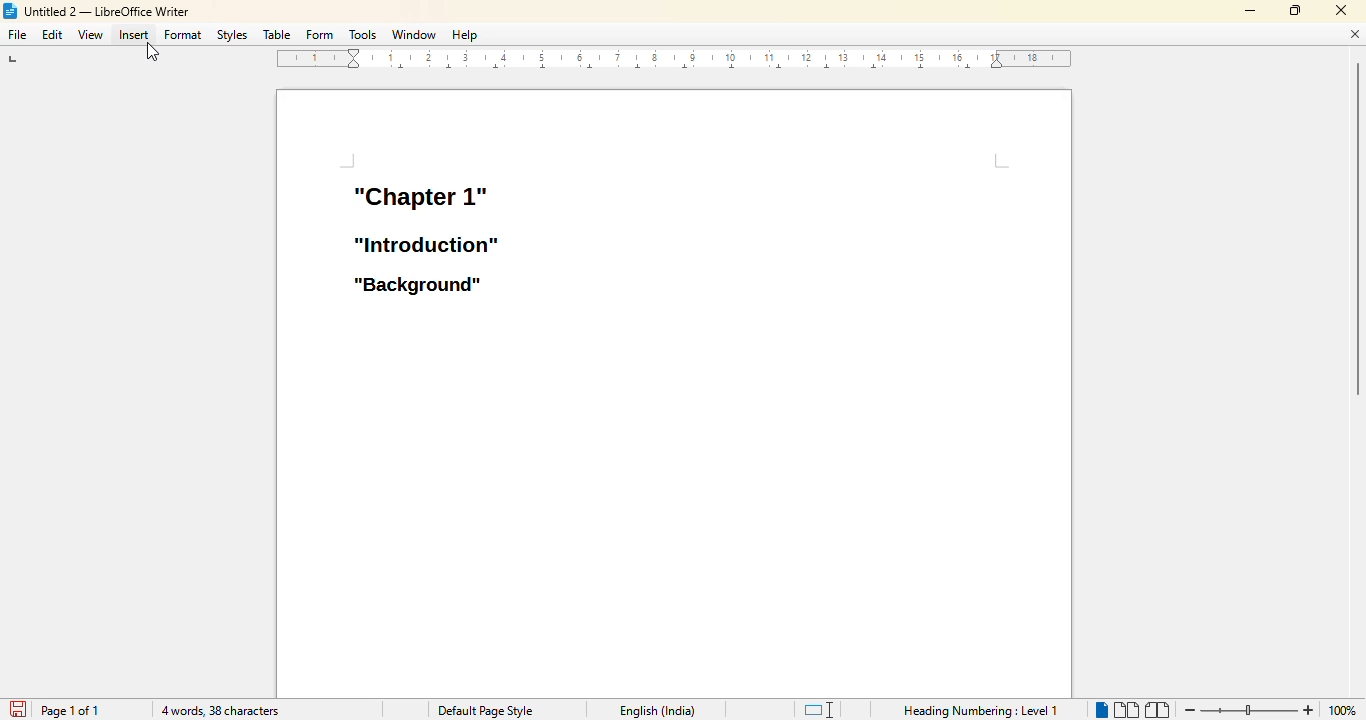 The width and height of the screenshot is (1366, 720). What do you see at coordinates (1309, 710) in the screenshot?
I see `zoom in` at bounding box center [1309, 710].